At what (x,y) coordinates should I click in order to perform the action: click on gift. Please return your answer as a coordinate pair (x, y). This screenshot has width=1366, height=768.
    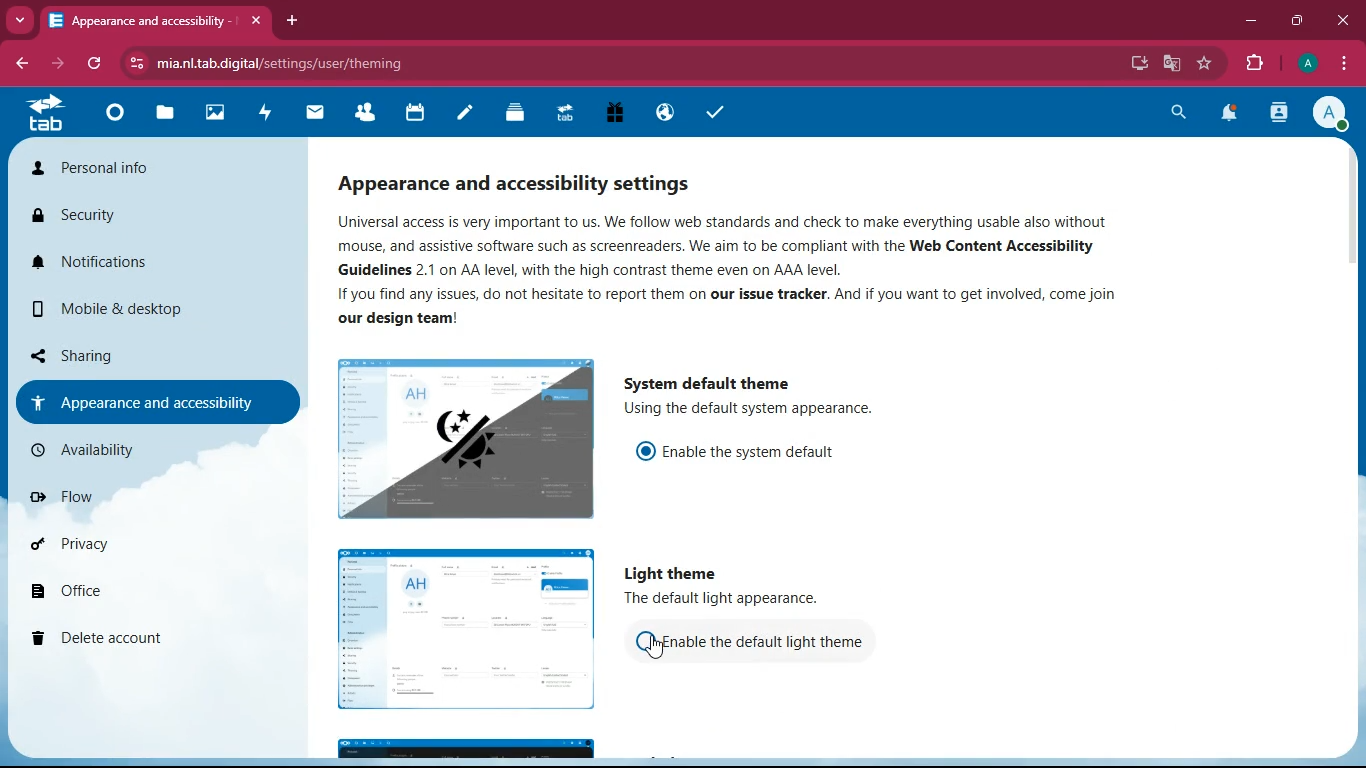
    Looking at the image, I should click on (612, 115).